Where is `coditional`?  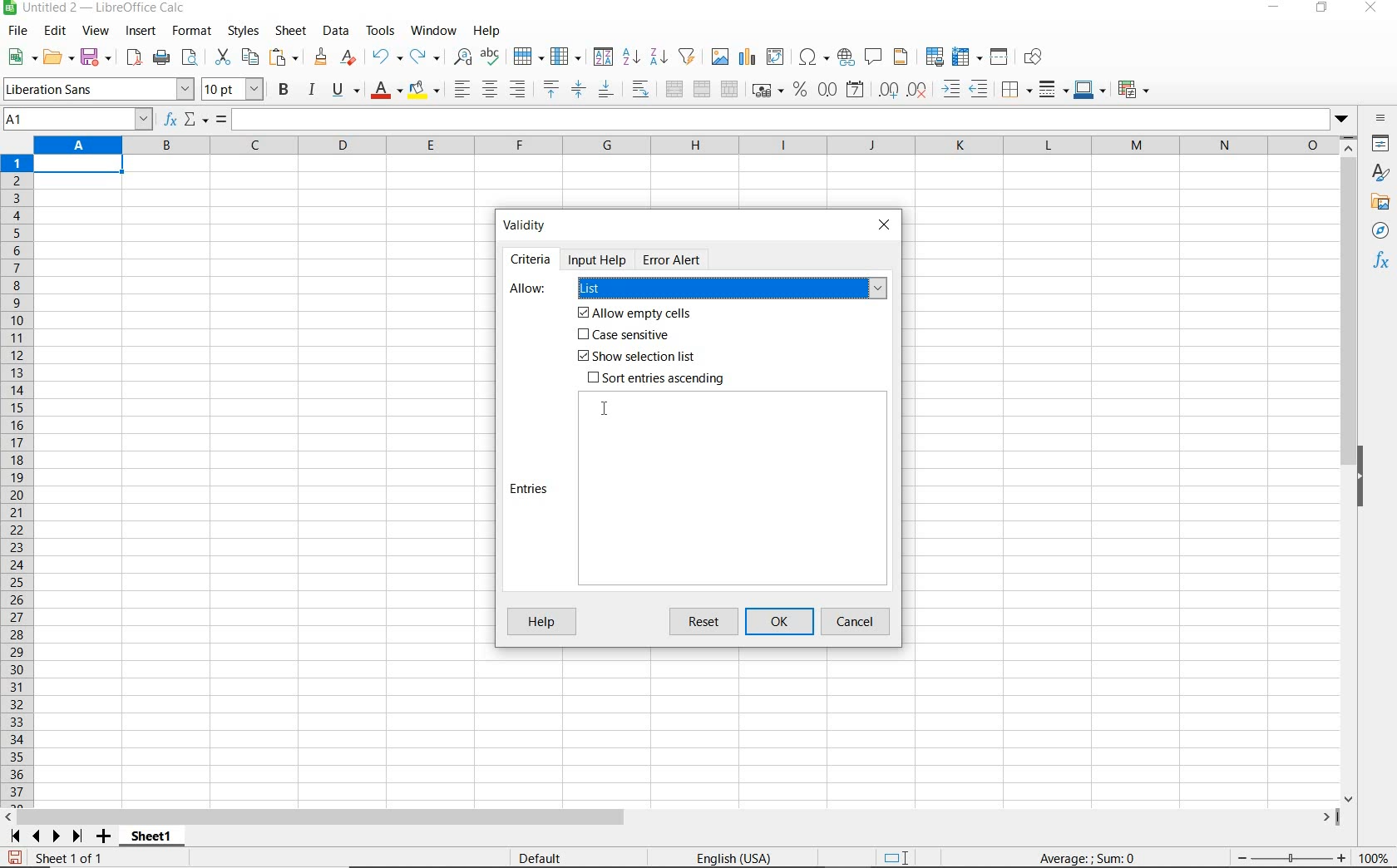
coditional is located at coordinates (1132, 90).